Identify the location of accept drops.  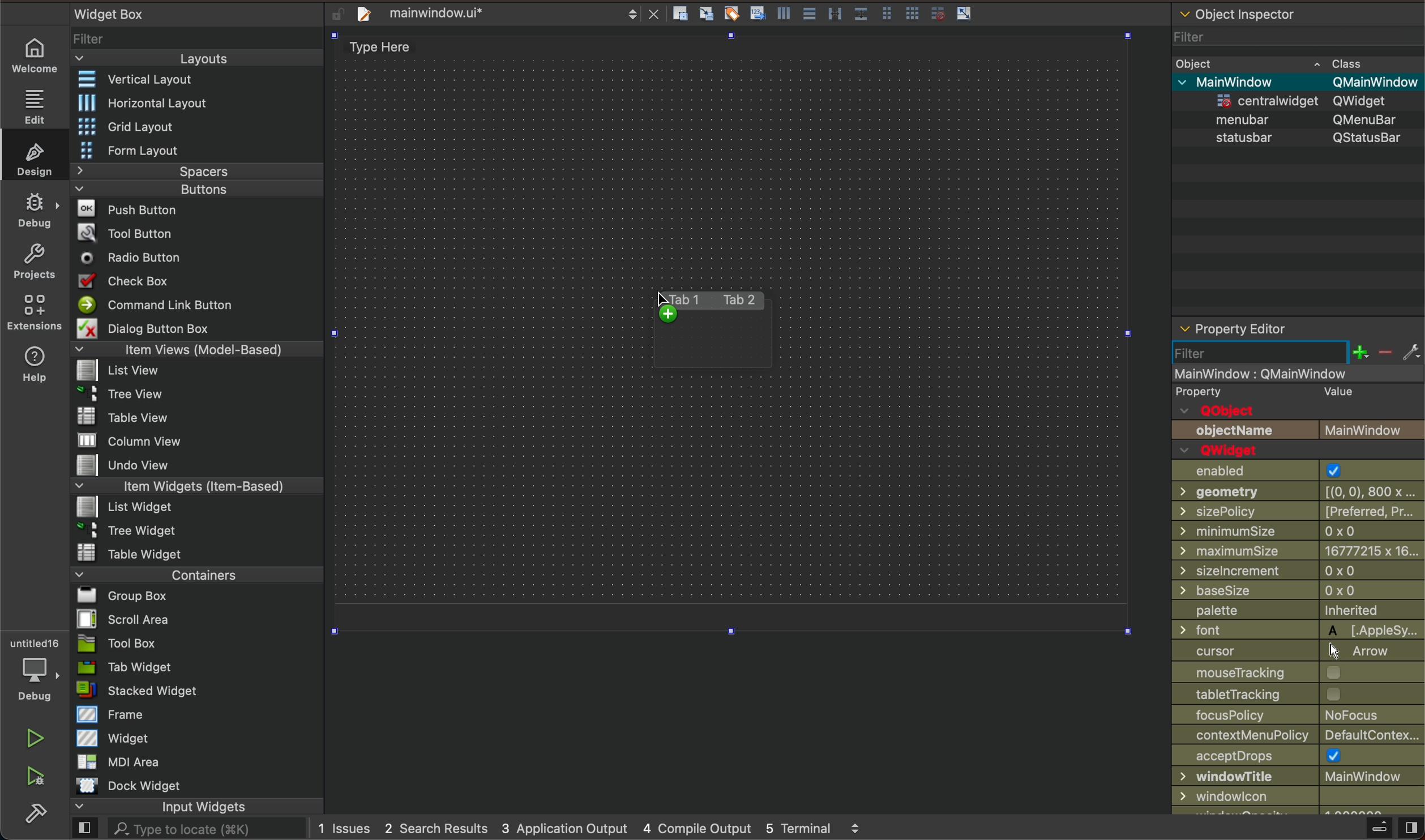
(1299, 756).